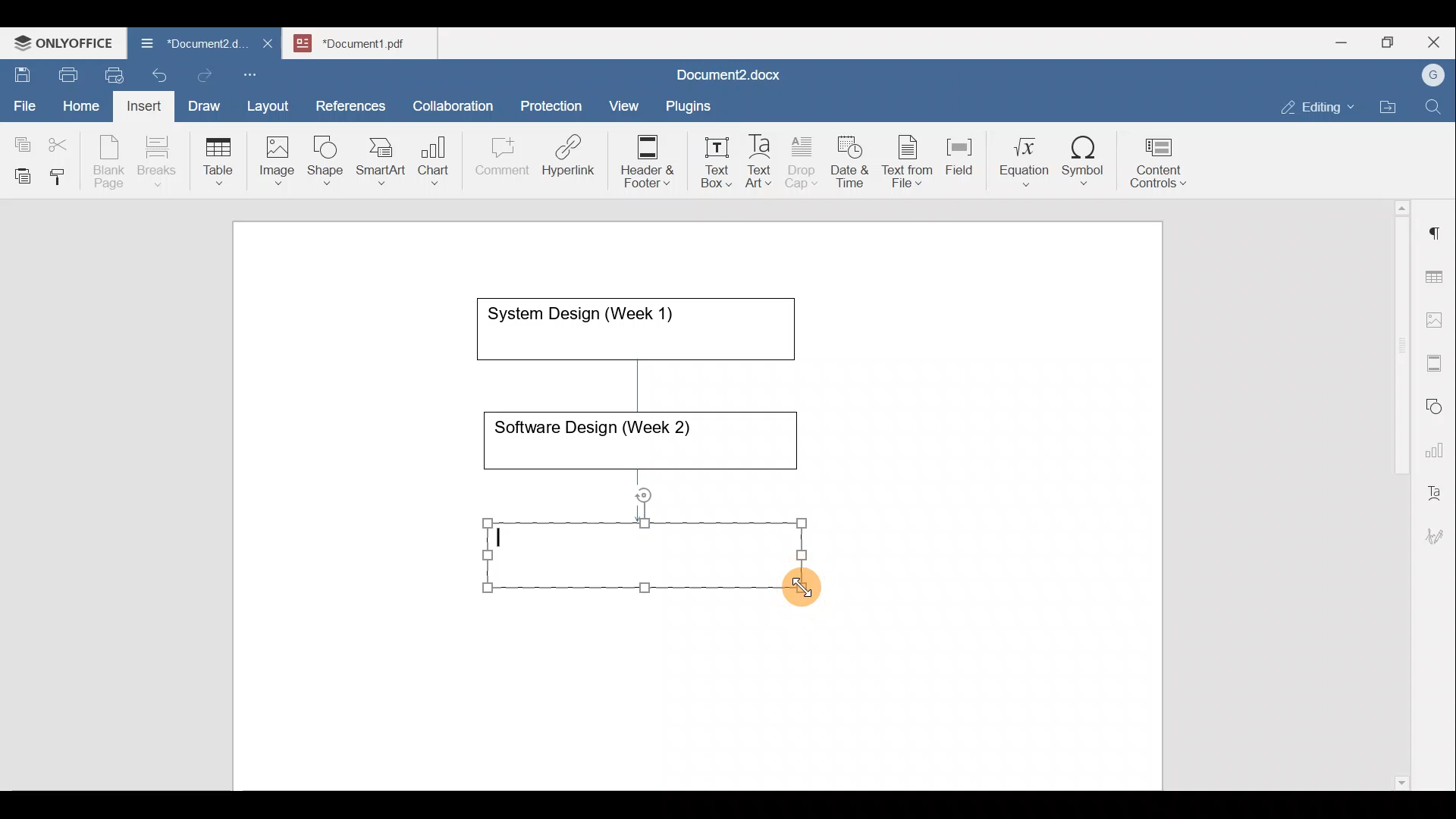  Describe the element at coordinates (1436, 43) in the screenshot. I see `Close` at that location.